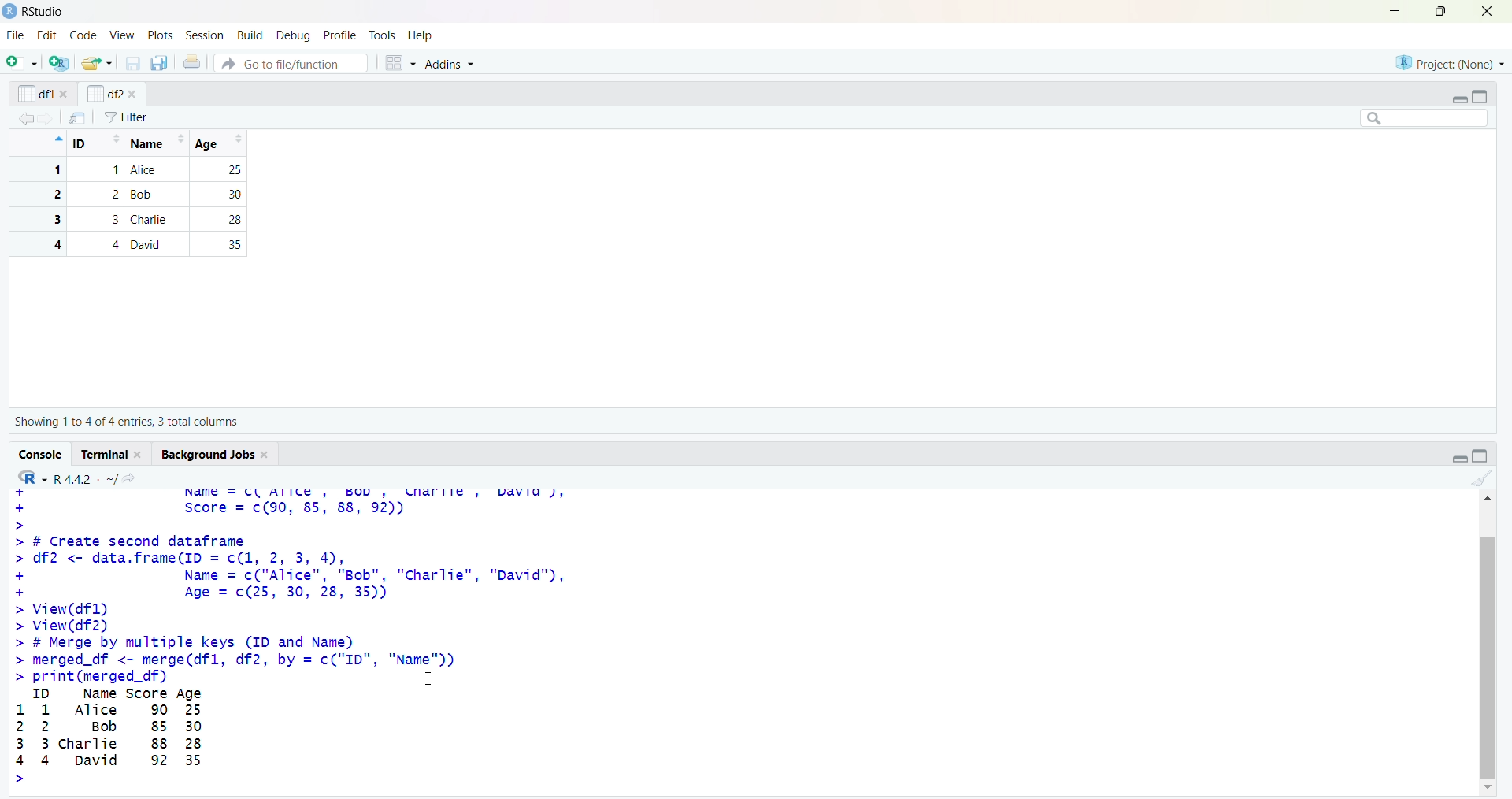 This screenshot has height=799, width=1512. What do you see at coordinates (291, 63) in the screenshot?
I see `Go to file/function` at bounding box center [291, 63].